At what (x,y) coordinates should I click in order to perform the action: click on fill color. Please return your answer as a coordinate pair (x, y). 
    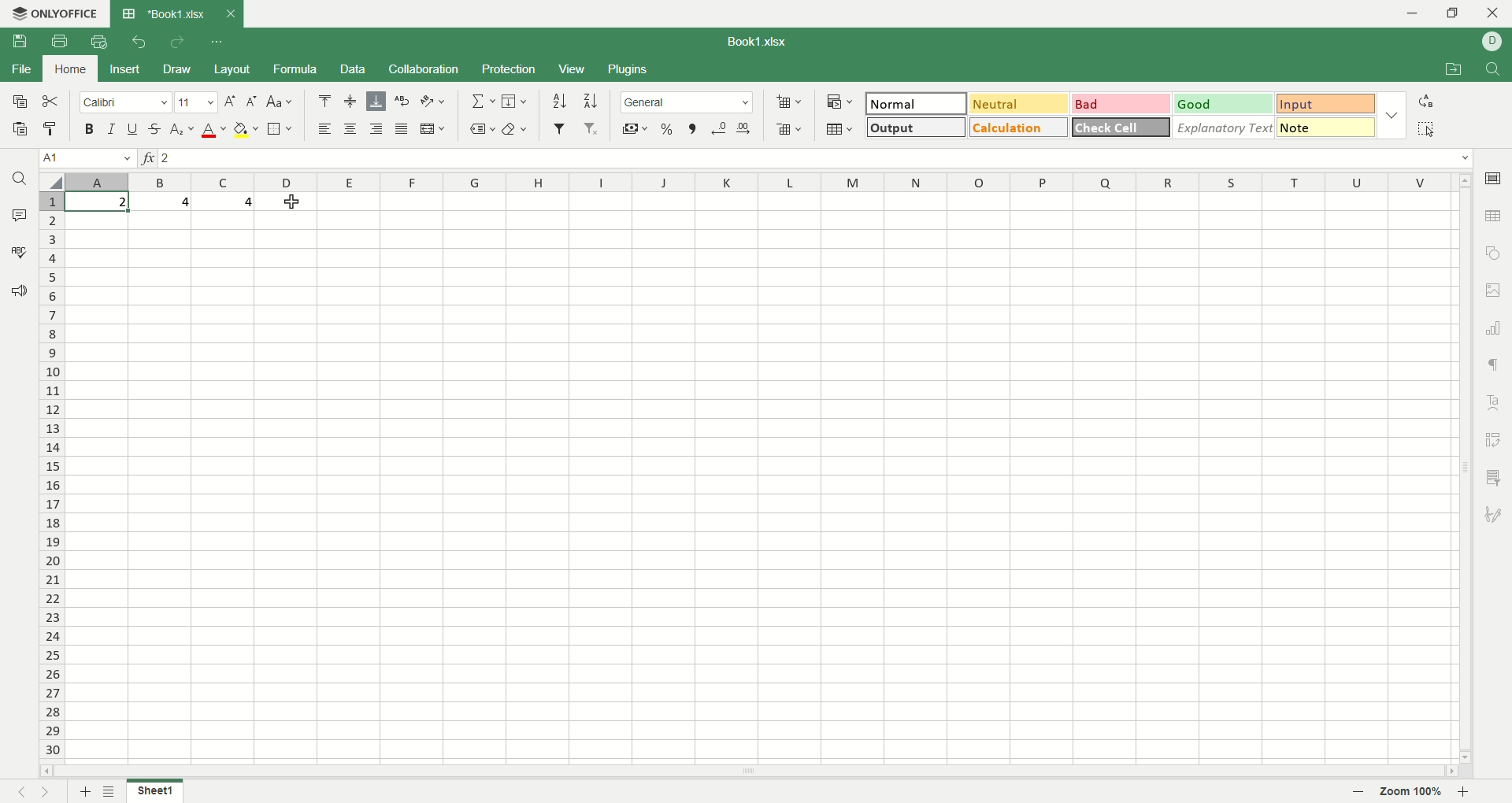
    Looking at the image, I should click on (246, 130).